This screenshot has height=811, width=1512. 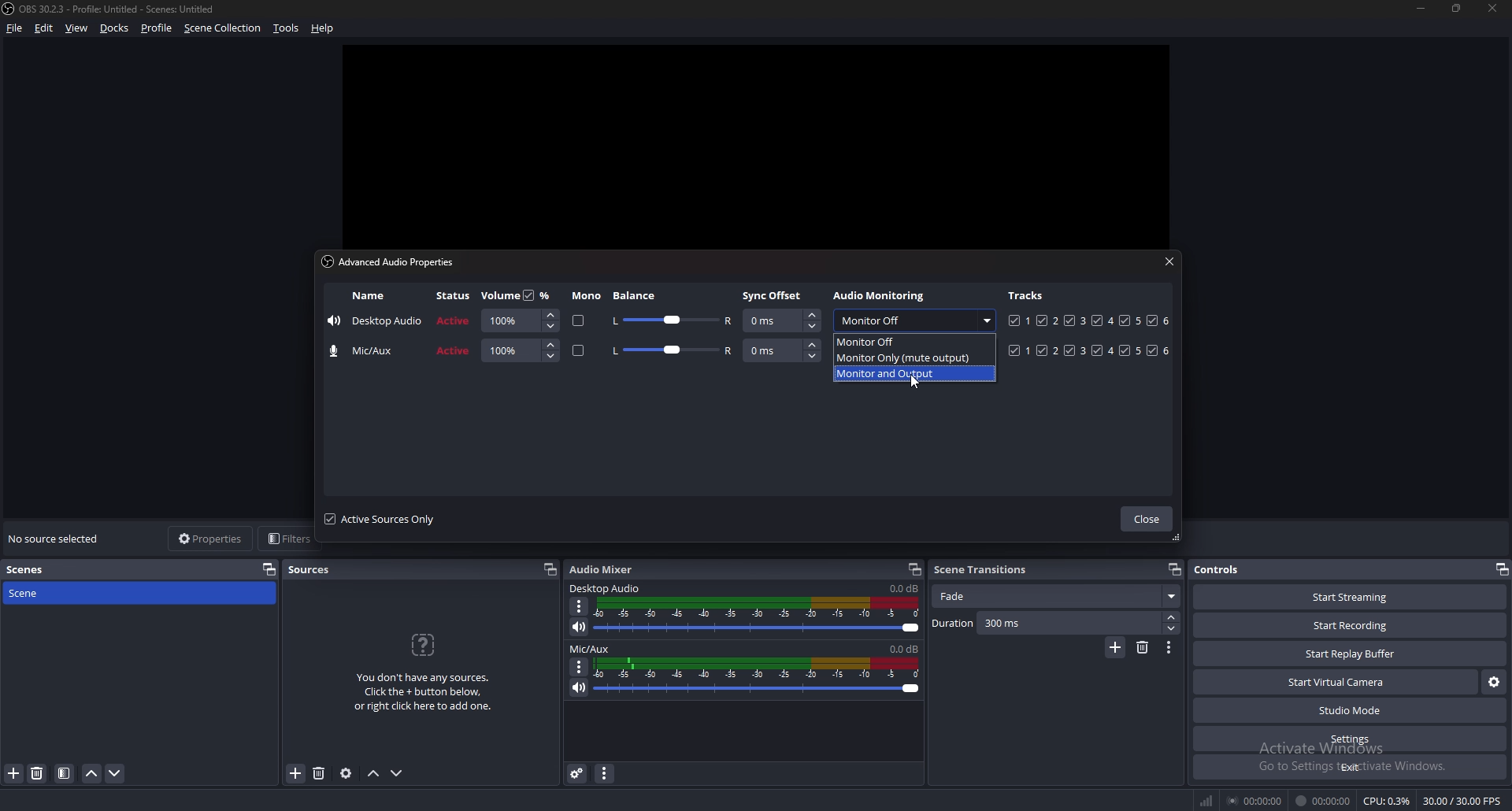 What do you see at coordinates (454, 320) in the screenshot?
I see `status` at bounding box center [454, 320].